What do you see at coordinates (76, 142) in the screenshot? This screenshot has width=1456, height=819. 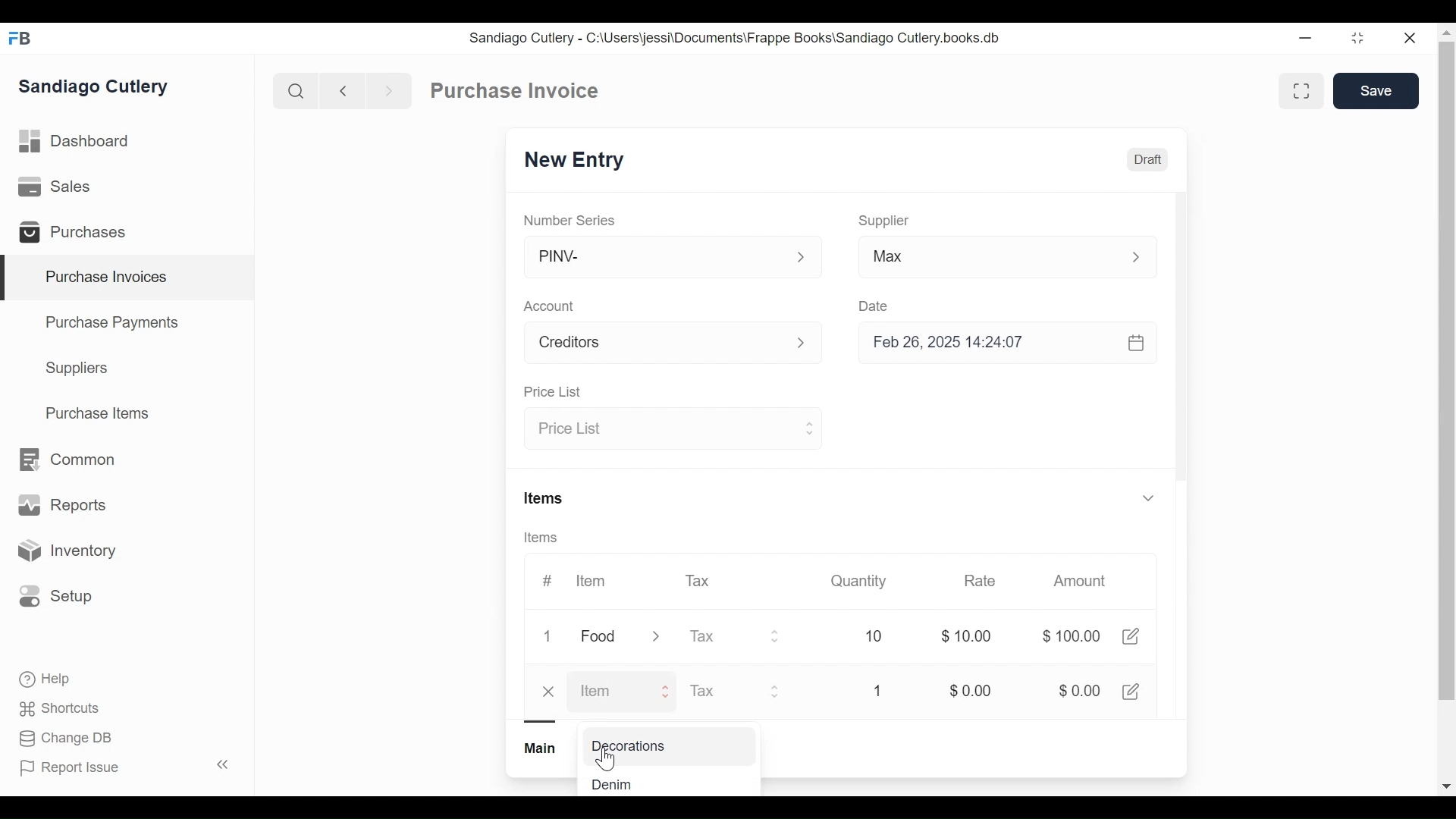 I see `Dashboard` at bounding box center [76, 142].